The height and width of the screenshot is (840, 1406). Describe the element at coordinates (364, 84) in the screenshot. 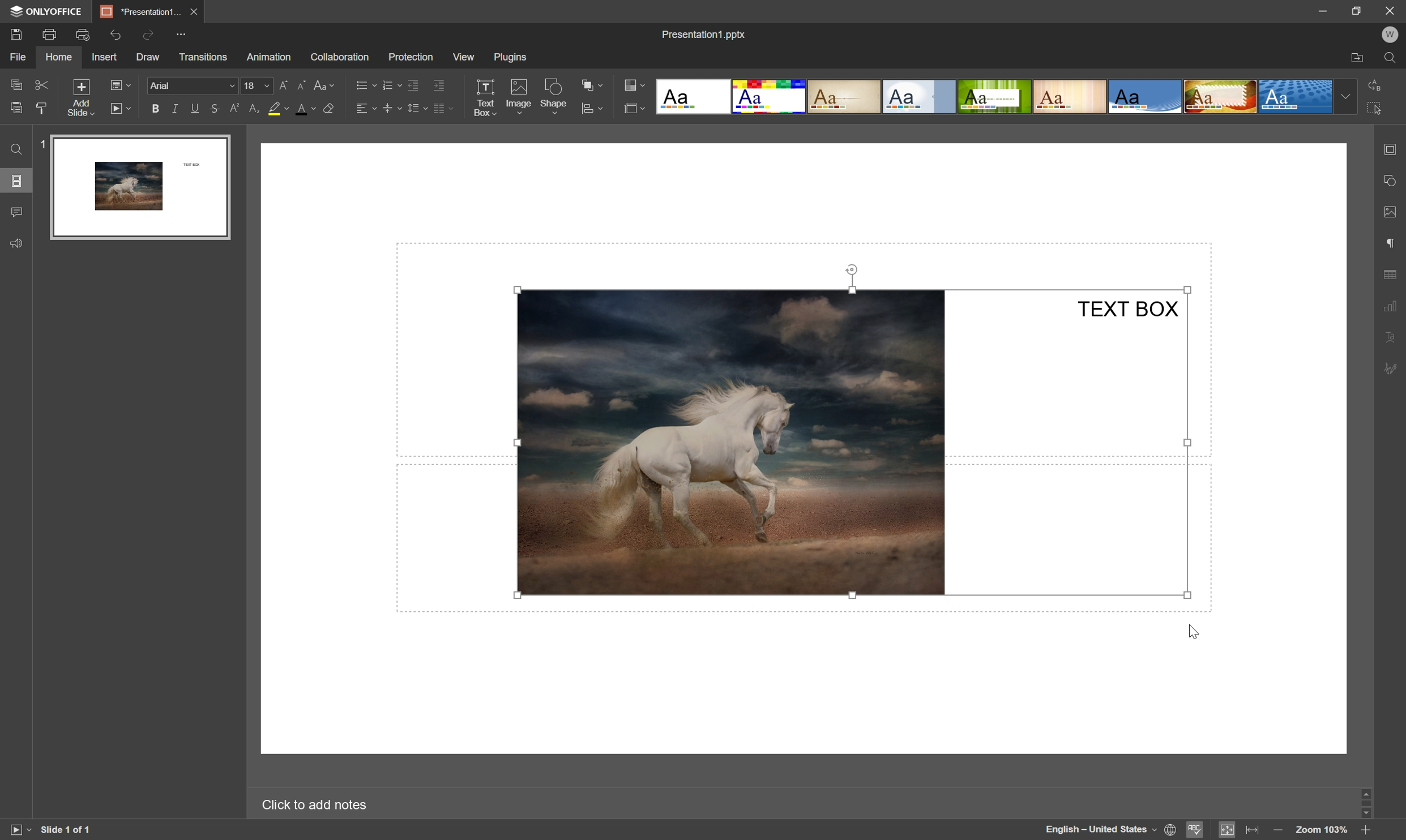

I see `bullets` at that location.